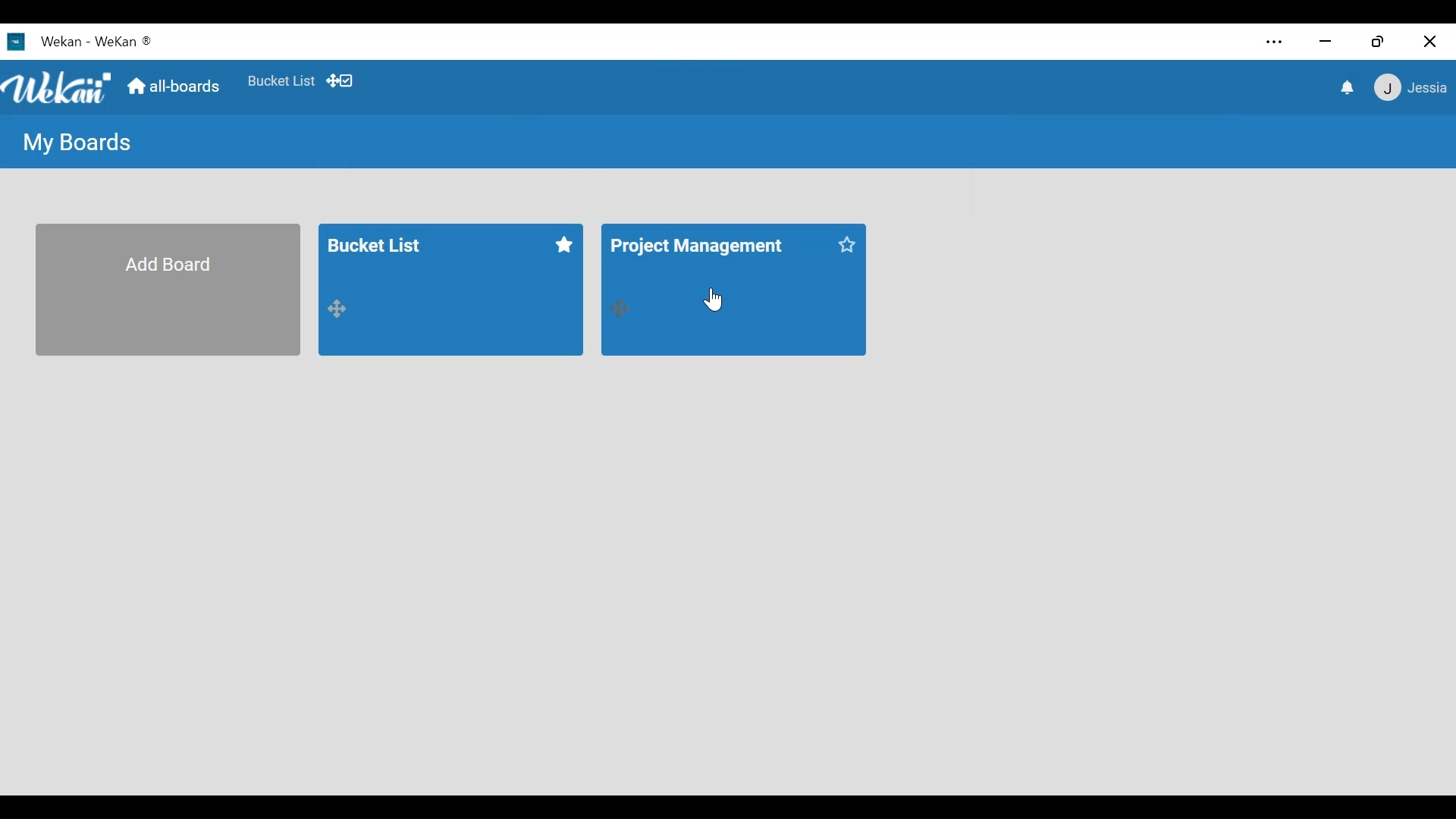 Image resolution: width=1456 pixels, height=819 pixels. I want to click on My Board, so click(80, 143).